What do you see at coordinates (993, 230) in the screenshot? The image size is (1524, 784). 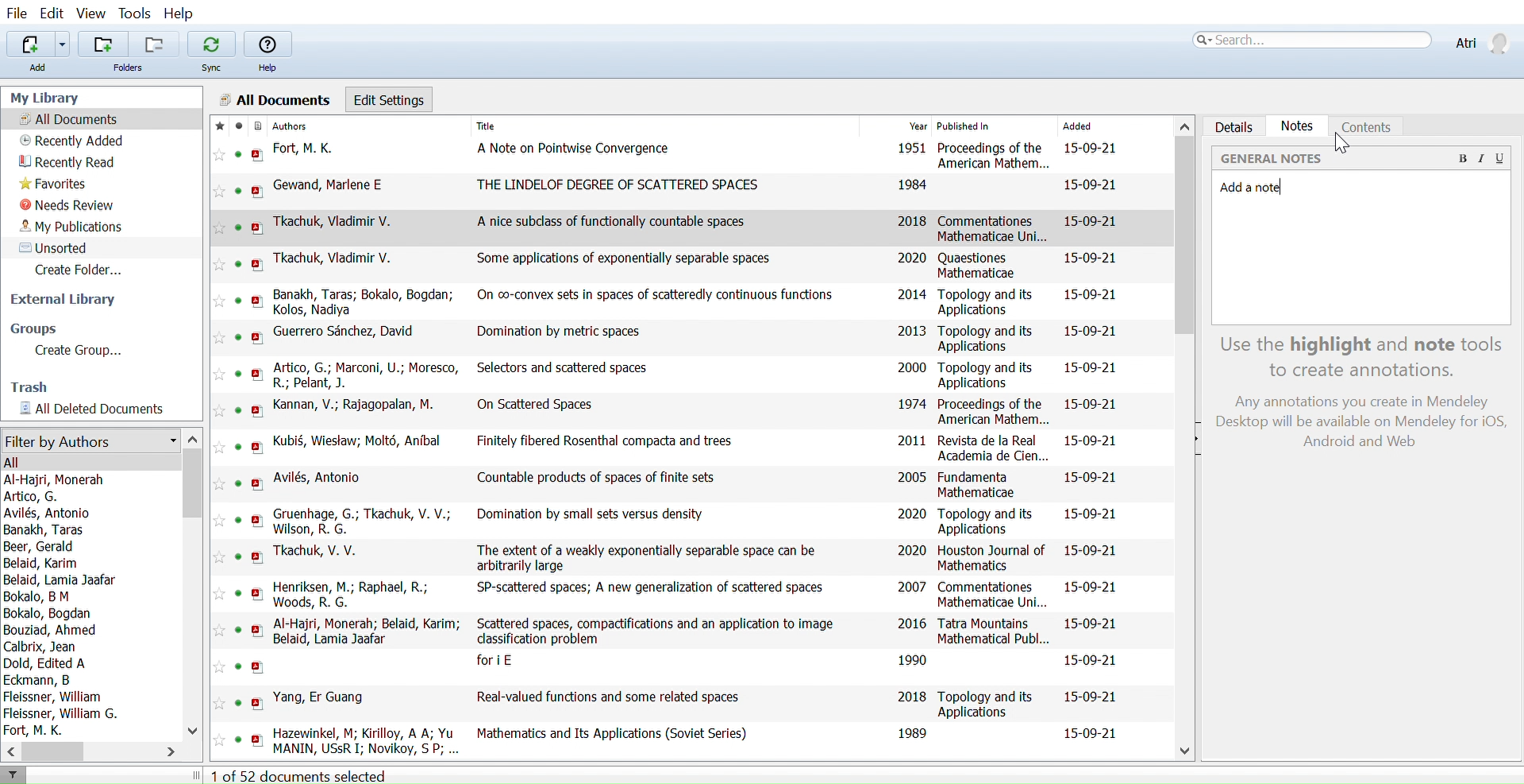 I see `Commentationes Mathematicae Uni...` at bounding box center [993, 230].